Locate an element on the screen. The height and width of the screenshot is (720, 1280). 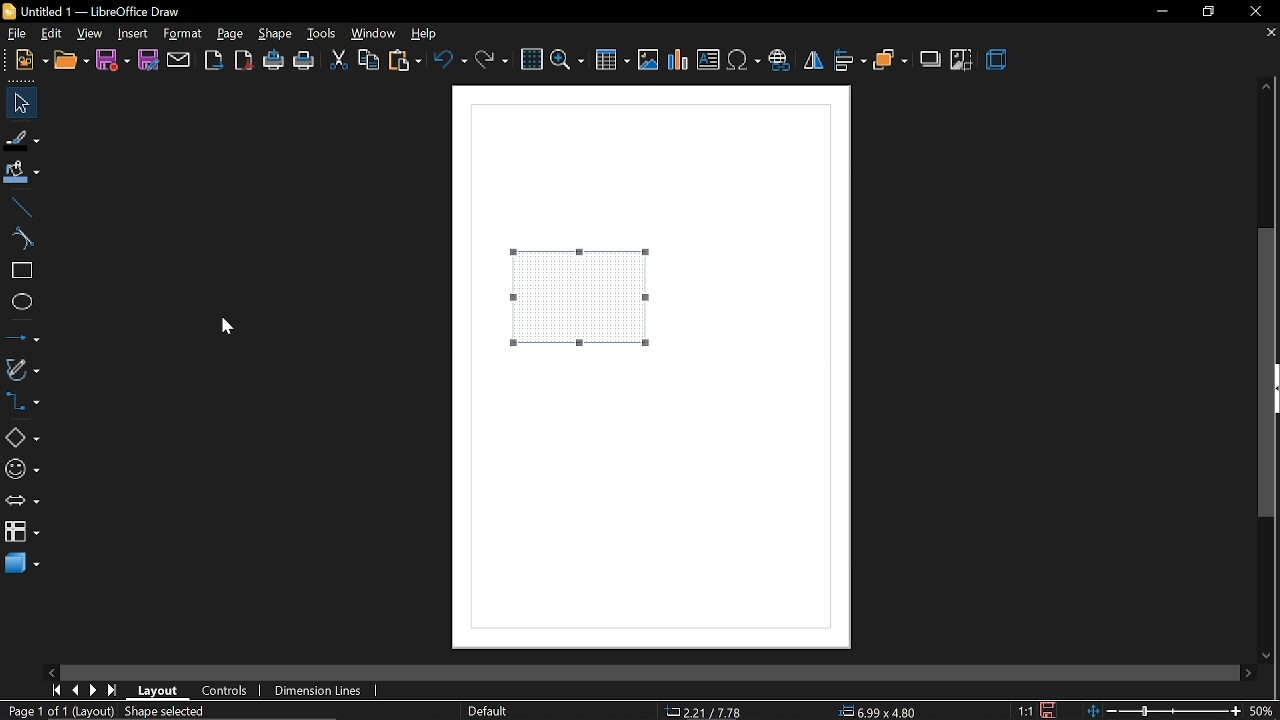
scaling factor is located at coordinates (1024, 706).